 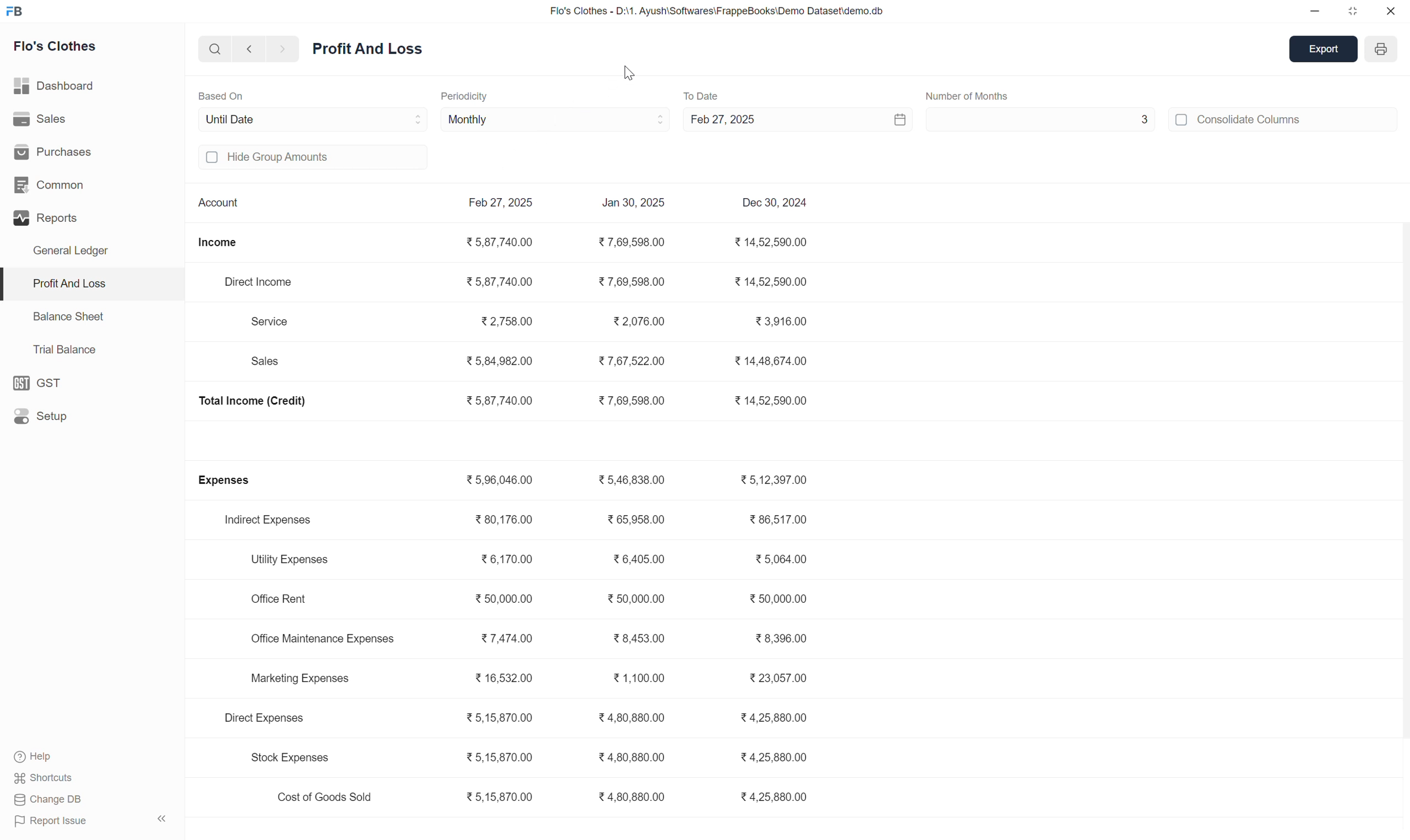 I want to click on To Date, so click(x=707, y=94).